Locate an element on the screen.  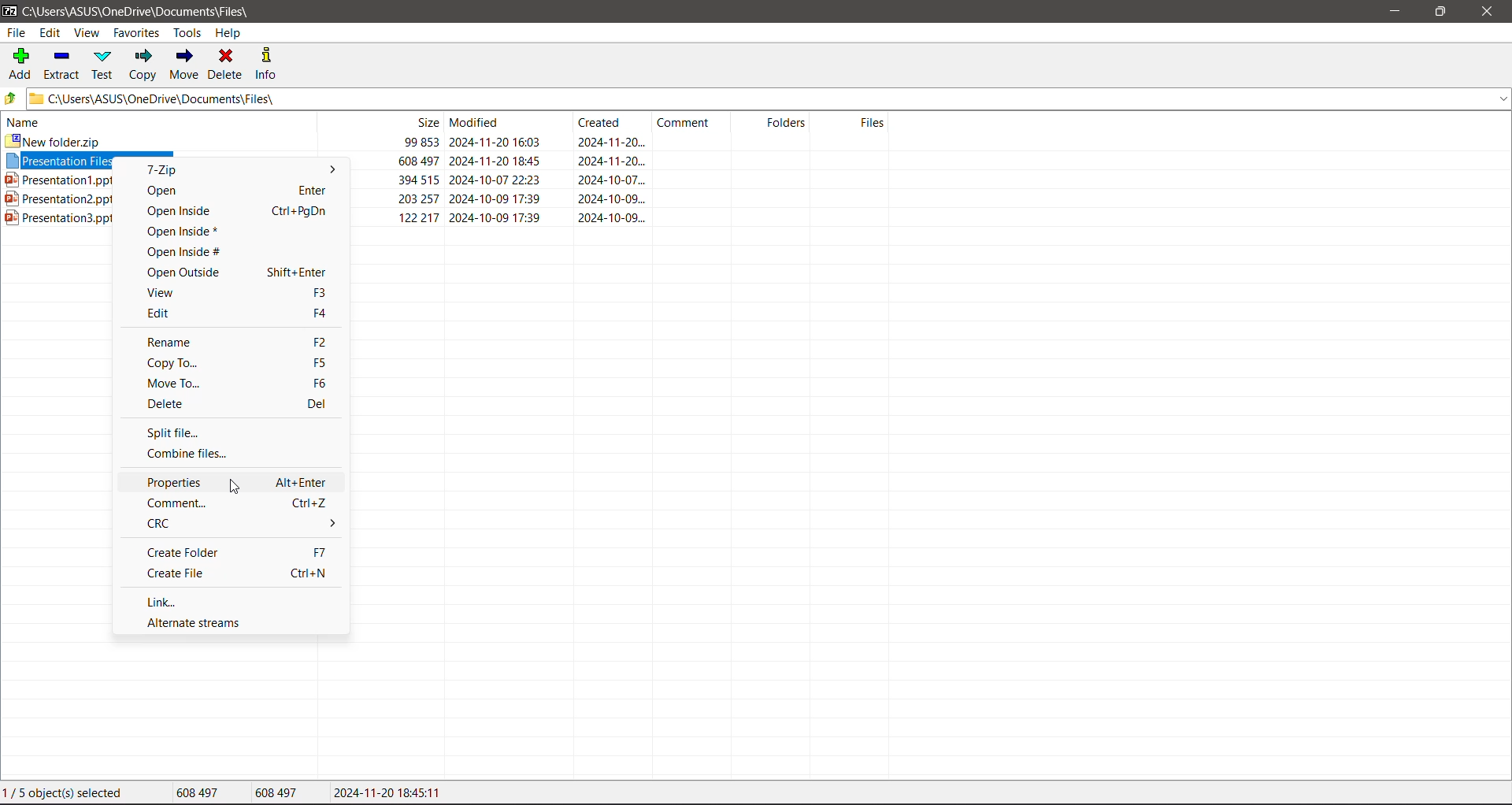
Rename is located at coordinates (238, 342).